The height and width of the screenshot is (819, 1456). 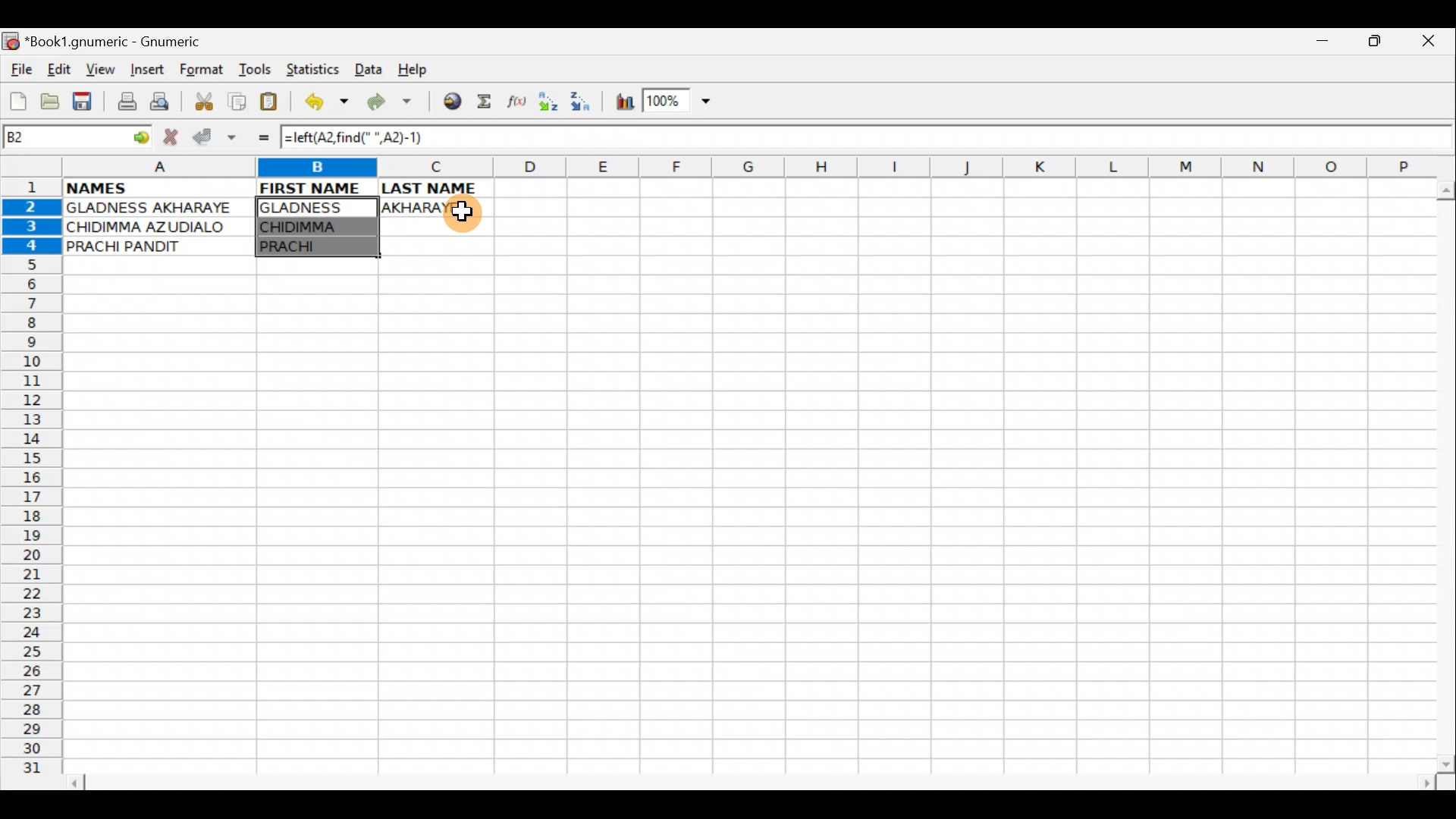 What do you see at coordinates (754, 780) in the screenshot?
I see `Scroll bar` at bounding box center [754, 780].